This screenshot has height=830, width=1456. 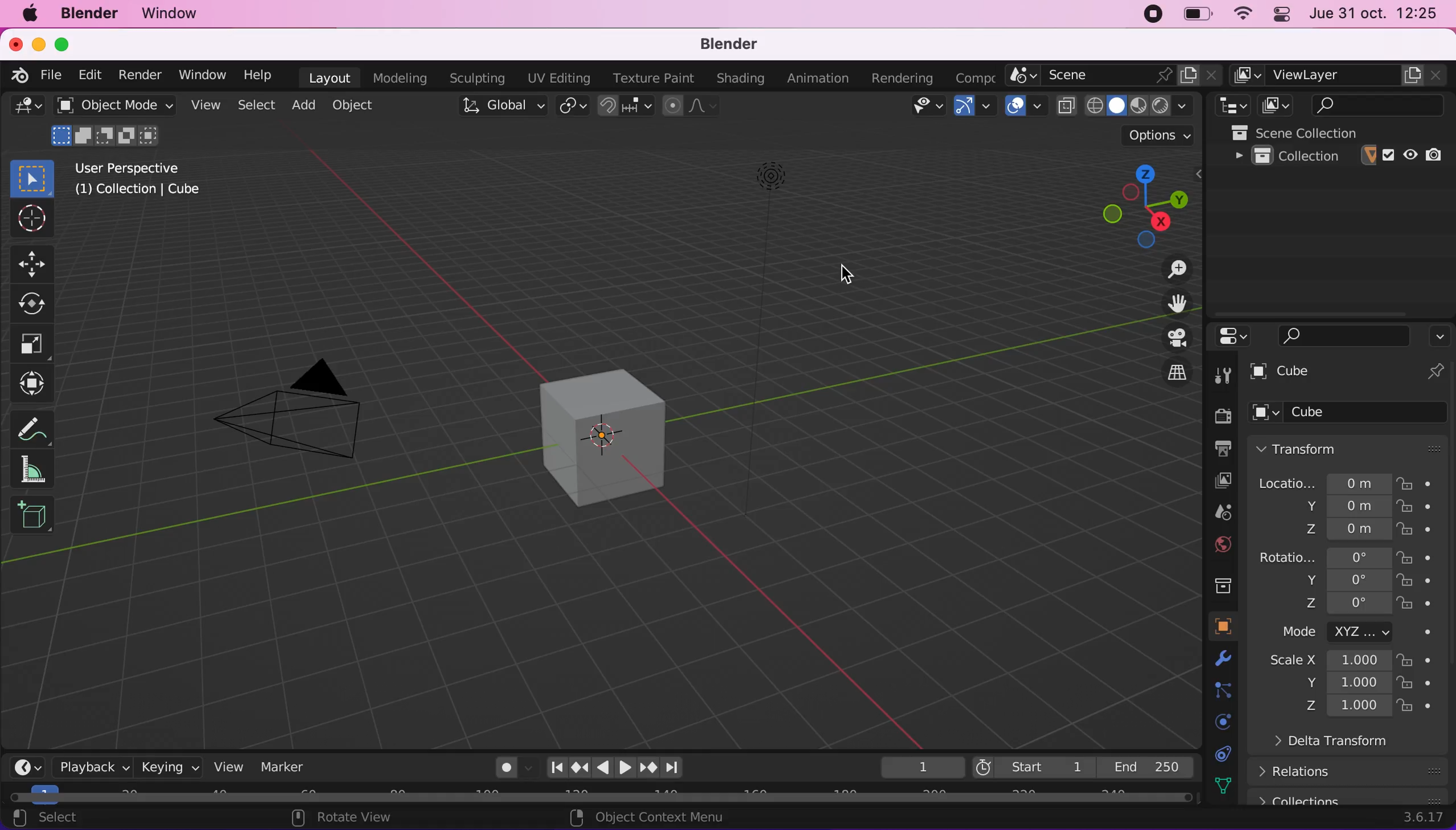 I want to click on measure, so click(x=40, y=425).